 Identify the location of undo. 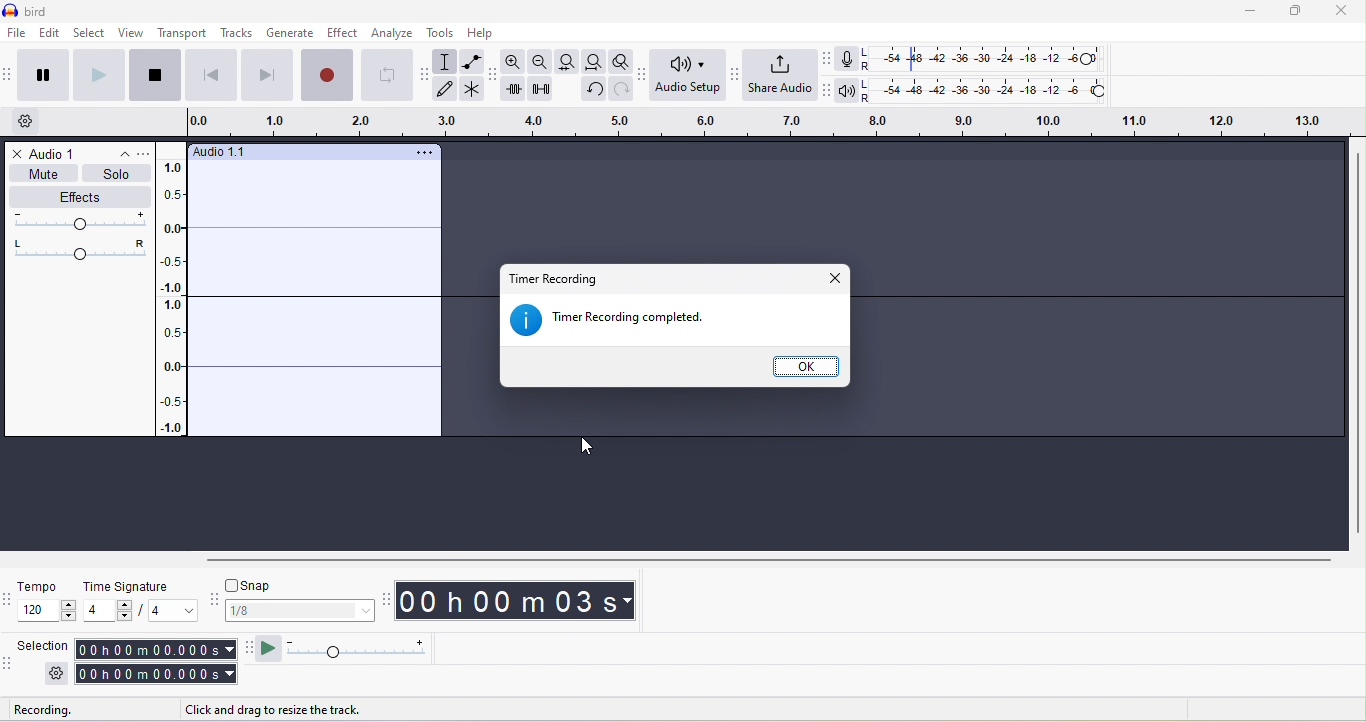
(594, 89).